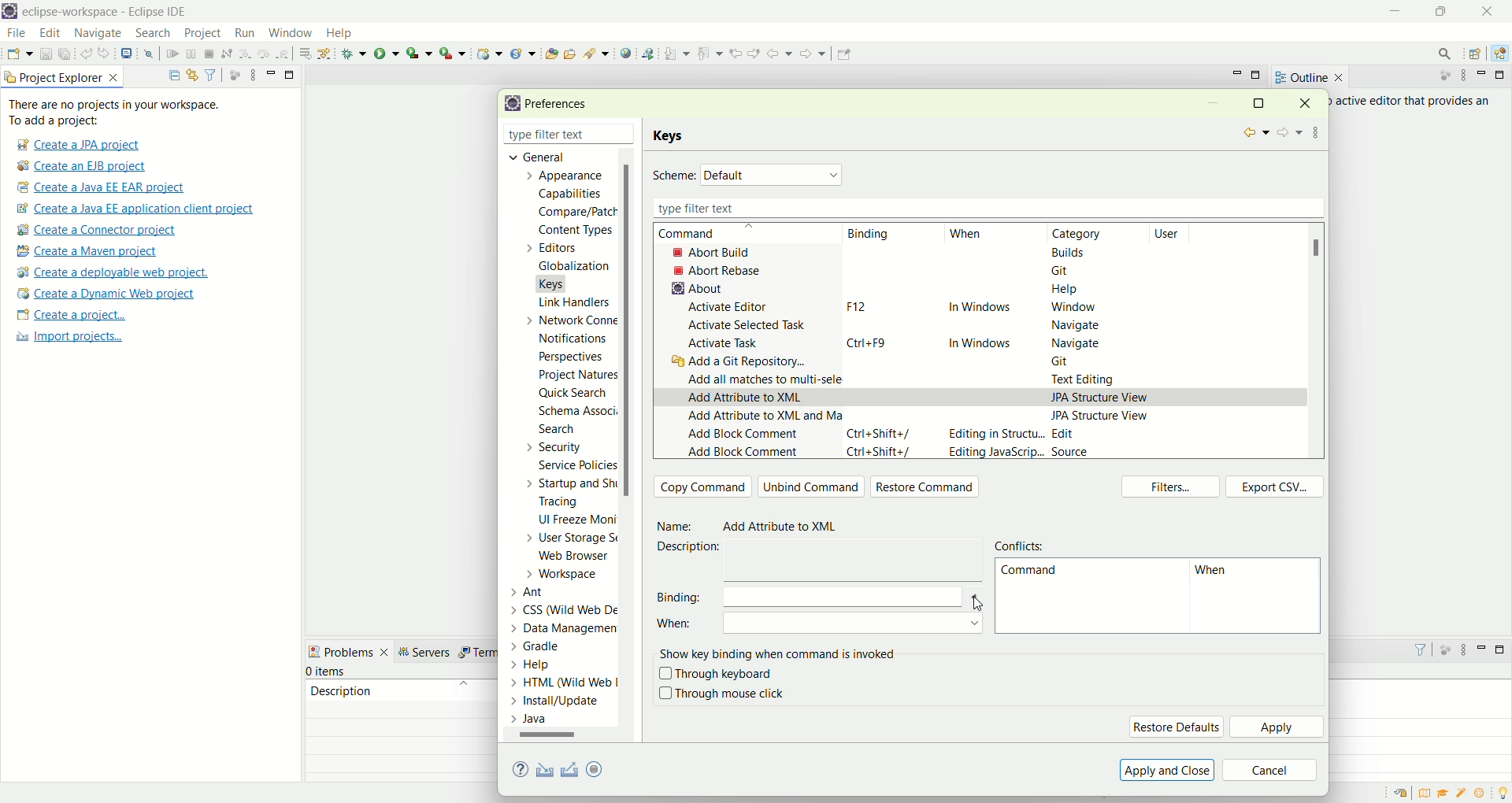 This screenshot has width=1512, height=803. What do you see at coordinates (191, 55) in the screenshot?
I see `suspend` at bounding box center [191, 55].